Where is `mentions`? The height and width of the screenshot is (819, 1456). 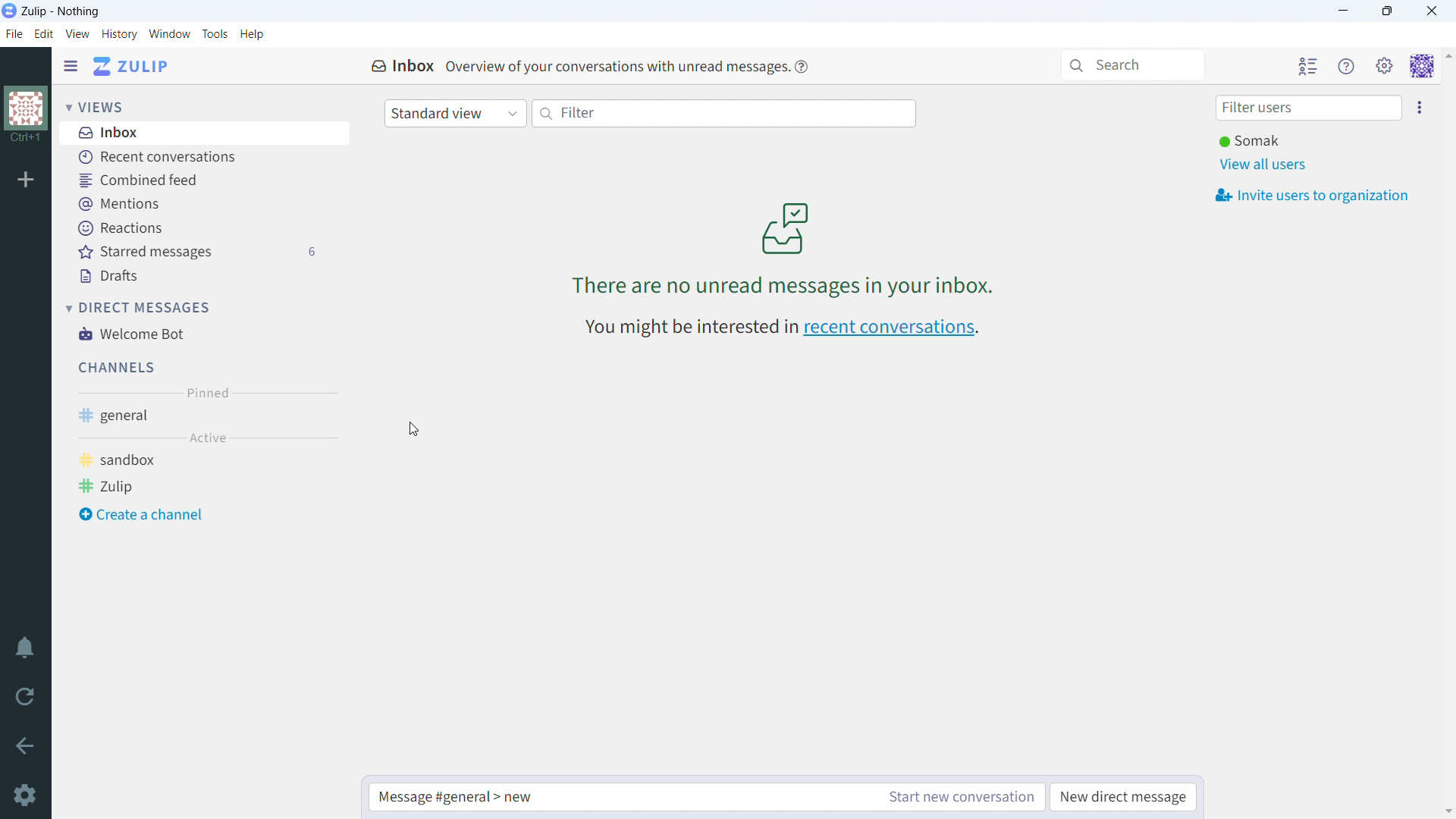
mentions is located at coordinates (196, 205).